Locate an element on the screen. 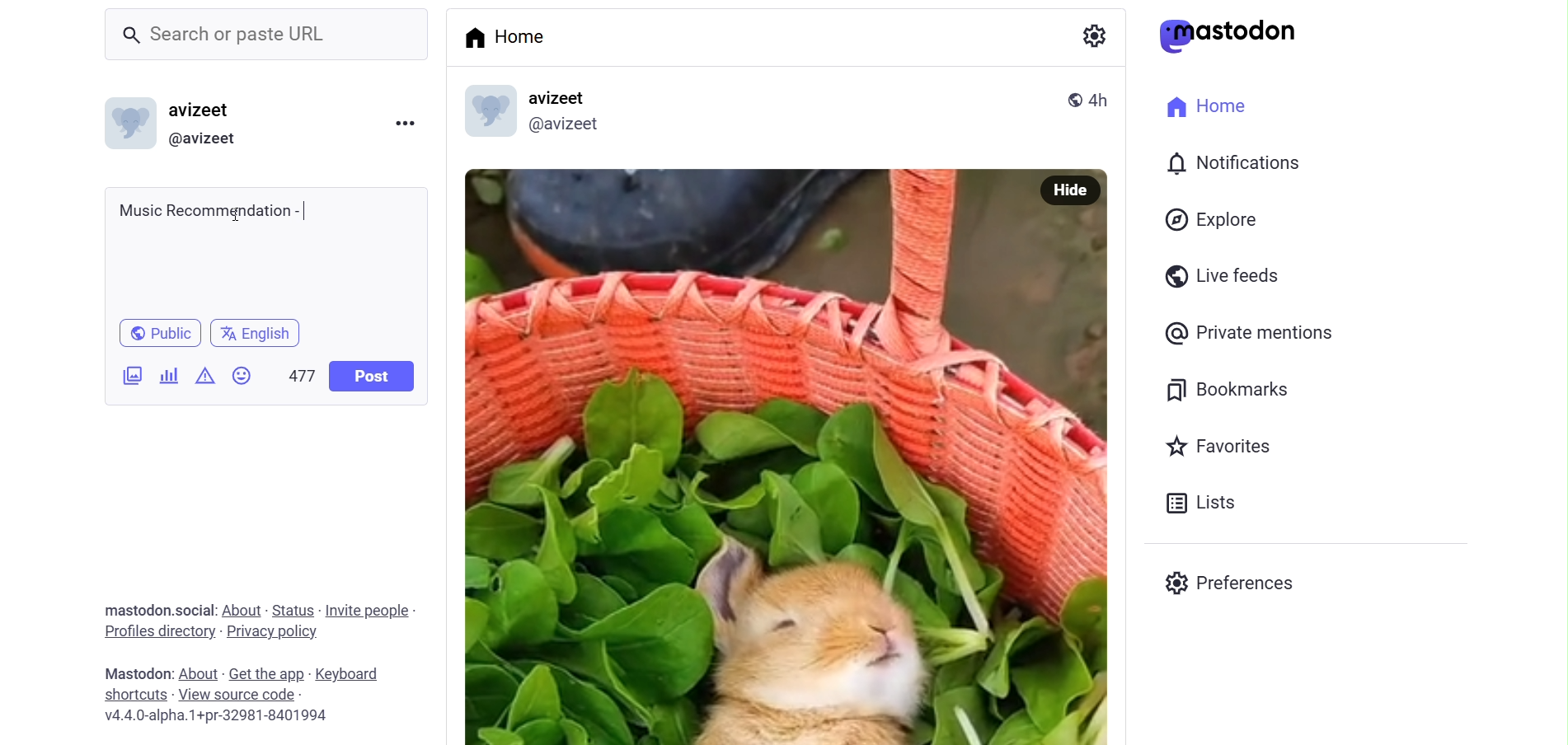 Image resolution: width=1568 pixels, height=745 pixels. Live Feeds is located at coordinates (1222, 275).